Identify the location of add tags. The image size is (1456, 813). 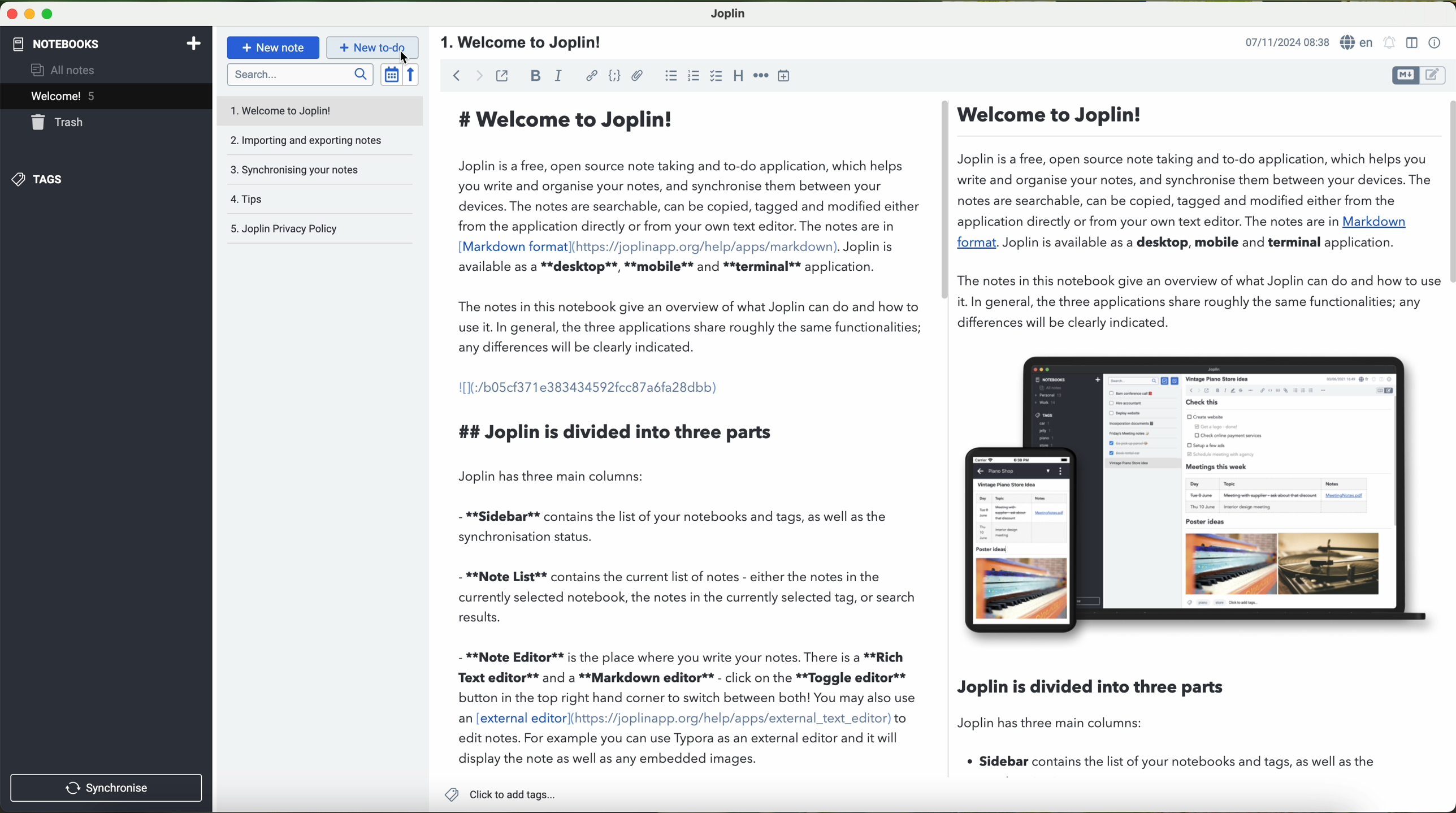
(500, 796).